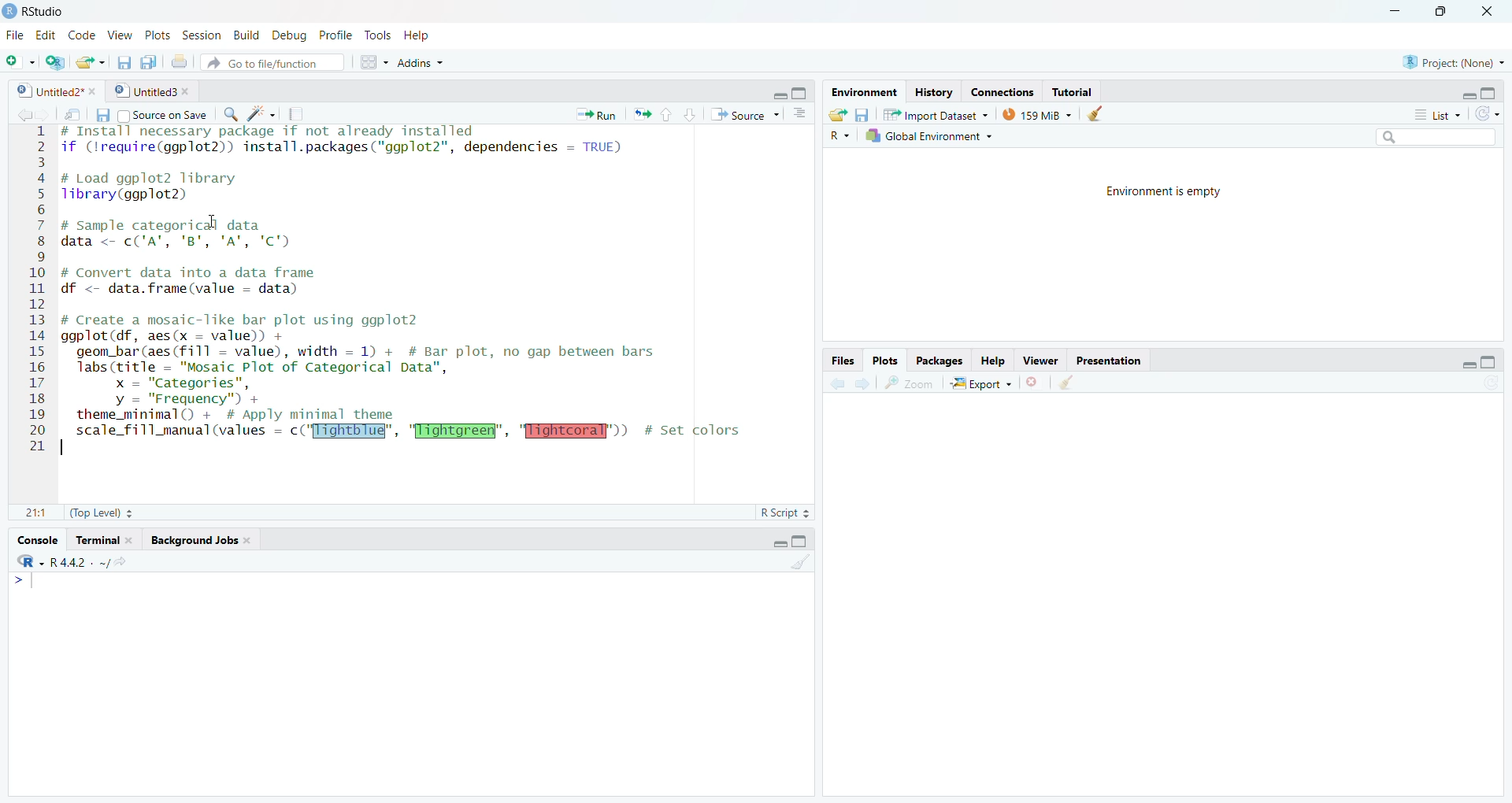  I want to click on Workspace panes, so click(371, 62).